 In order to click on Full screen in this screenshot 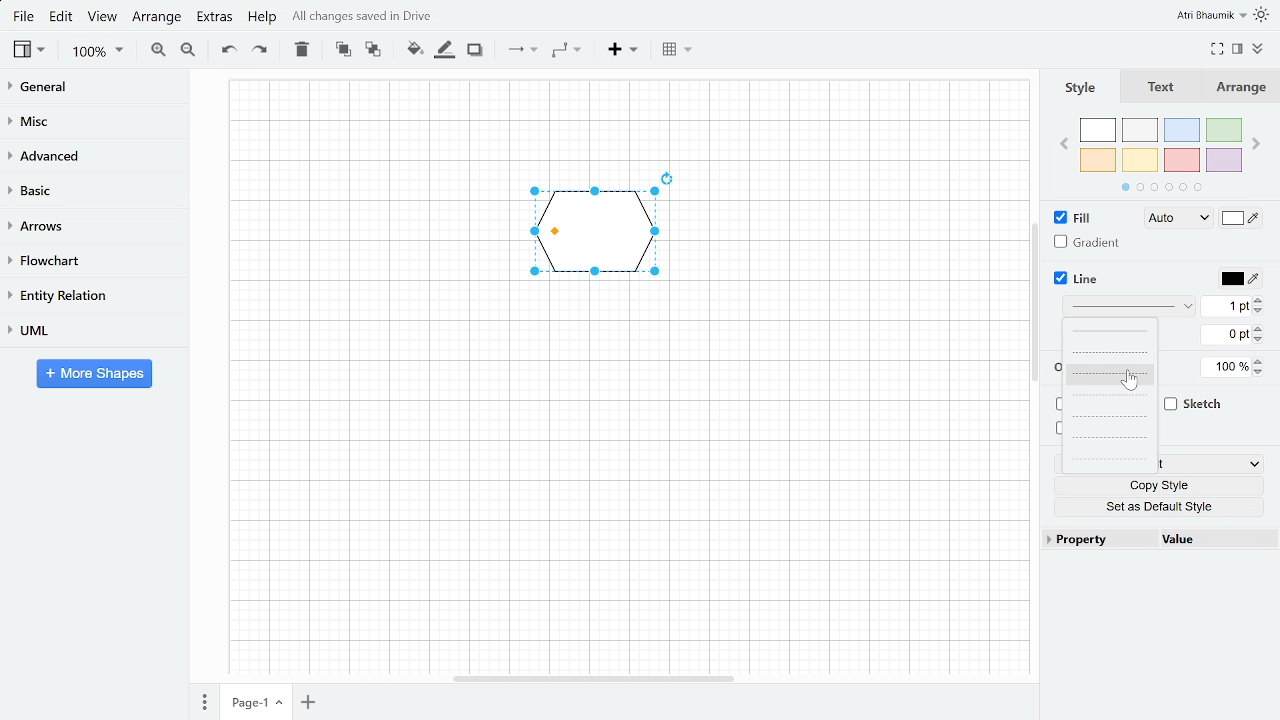, I will do `click(1216, 48)`.